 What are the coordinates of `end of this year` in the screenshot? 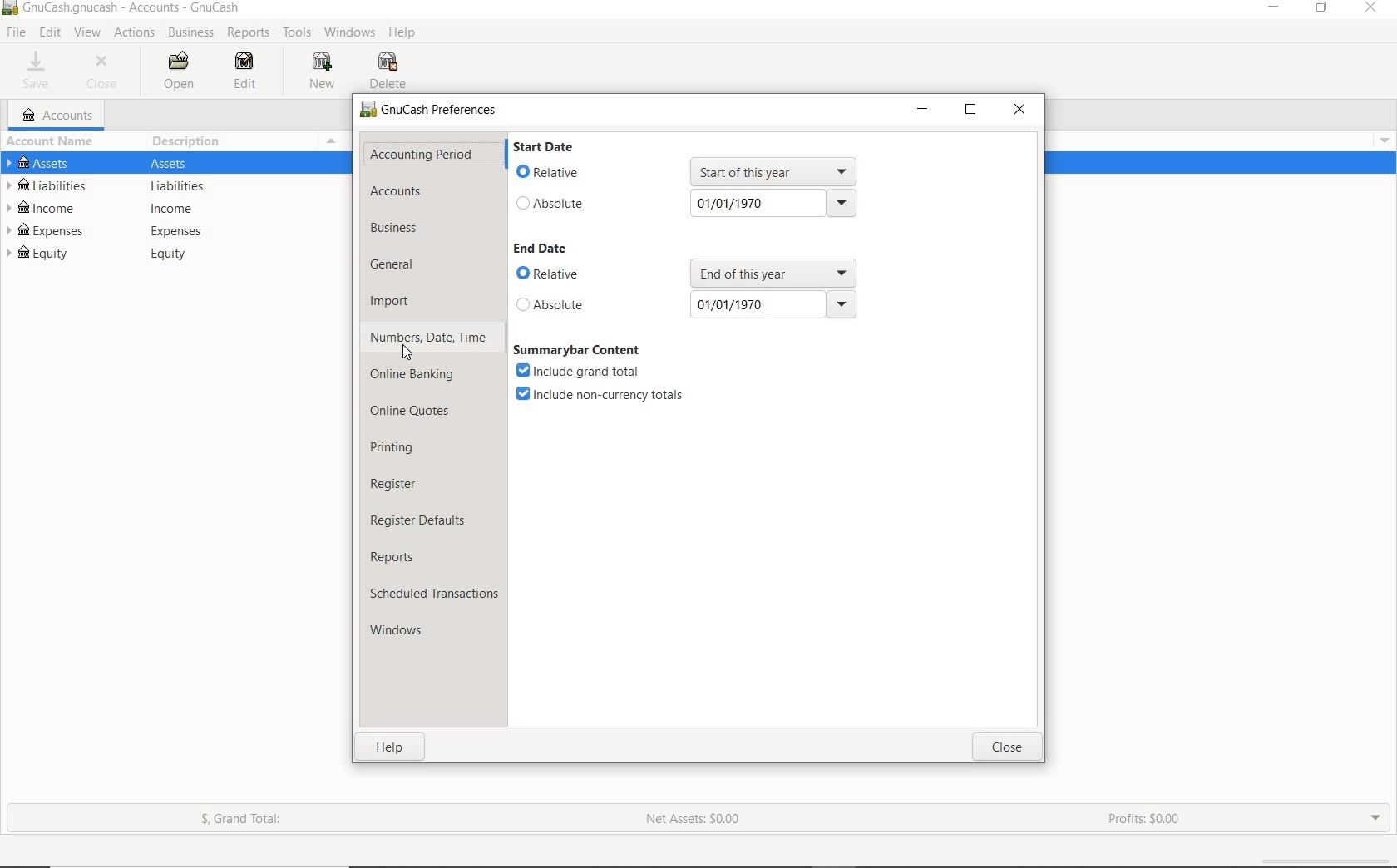 It's located at (775, 273).